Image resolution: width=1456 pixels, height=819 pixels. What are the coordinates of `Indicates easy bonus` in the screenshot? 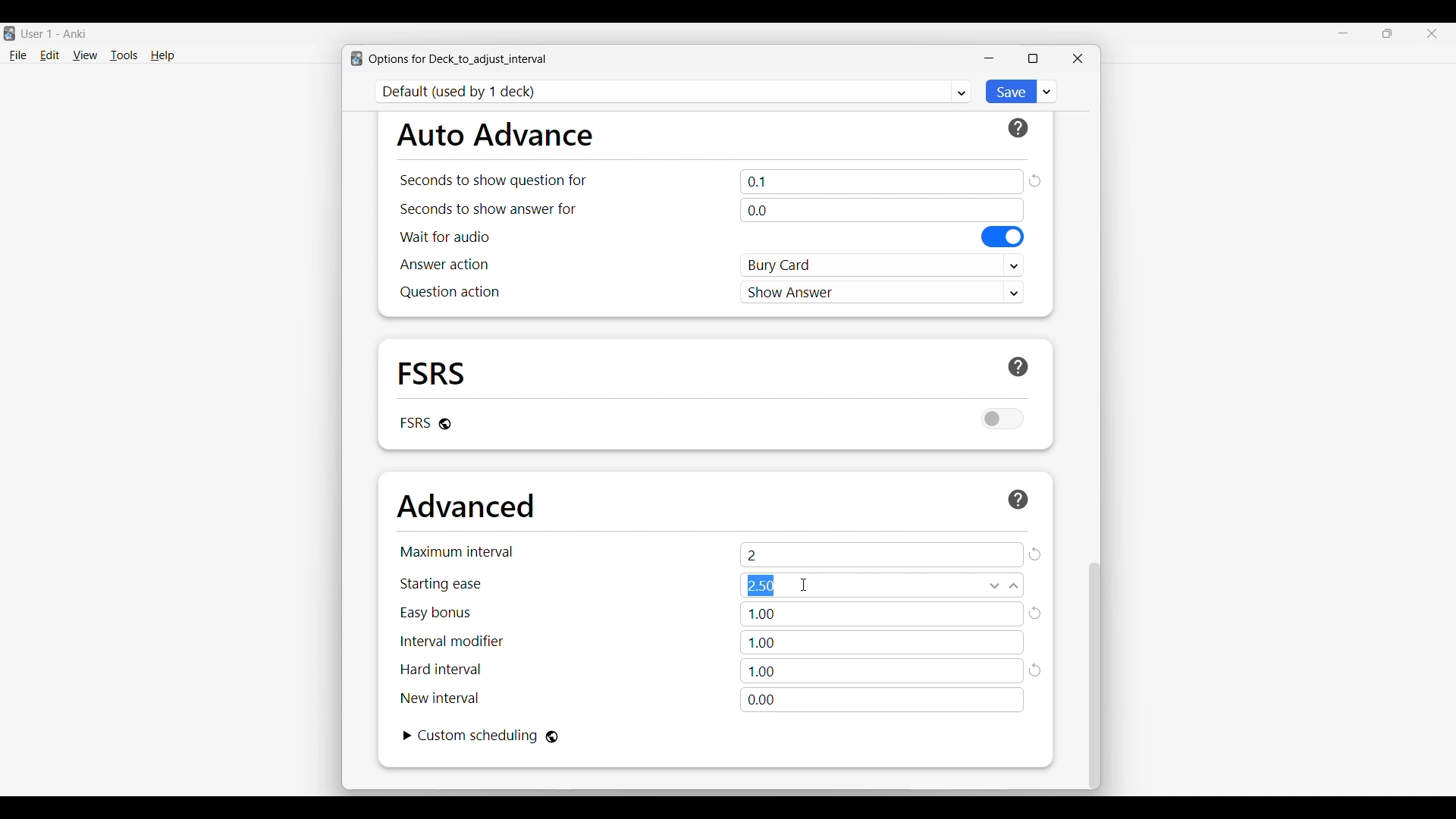 It's located at (436, 613).